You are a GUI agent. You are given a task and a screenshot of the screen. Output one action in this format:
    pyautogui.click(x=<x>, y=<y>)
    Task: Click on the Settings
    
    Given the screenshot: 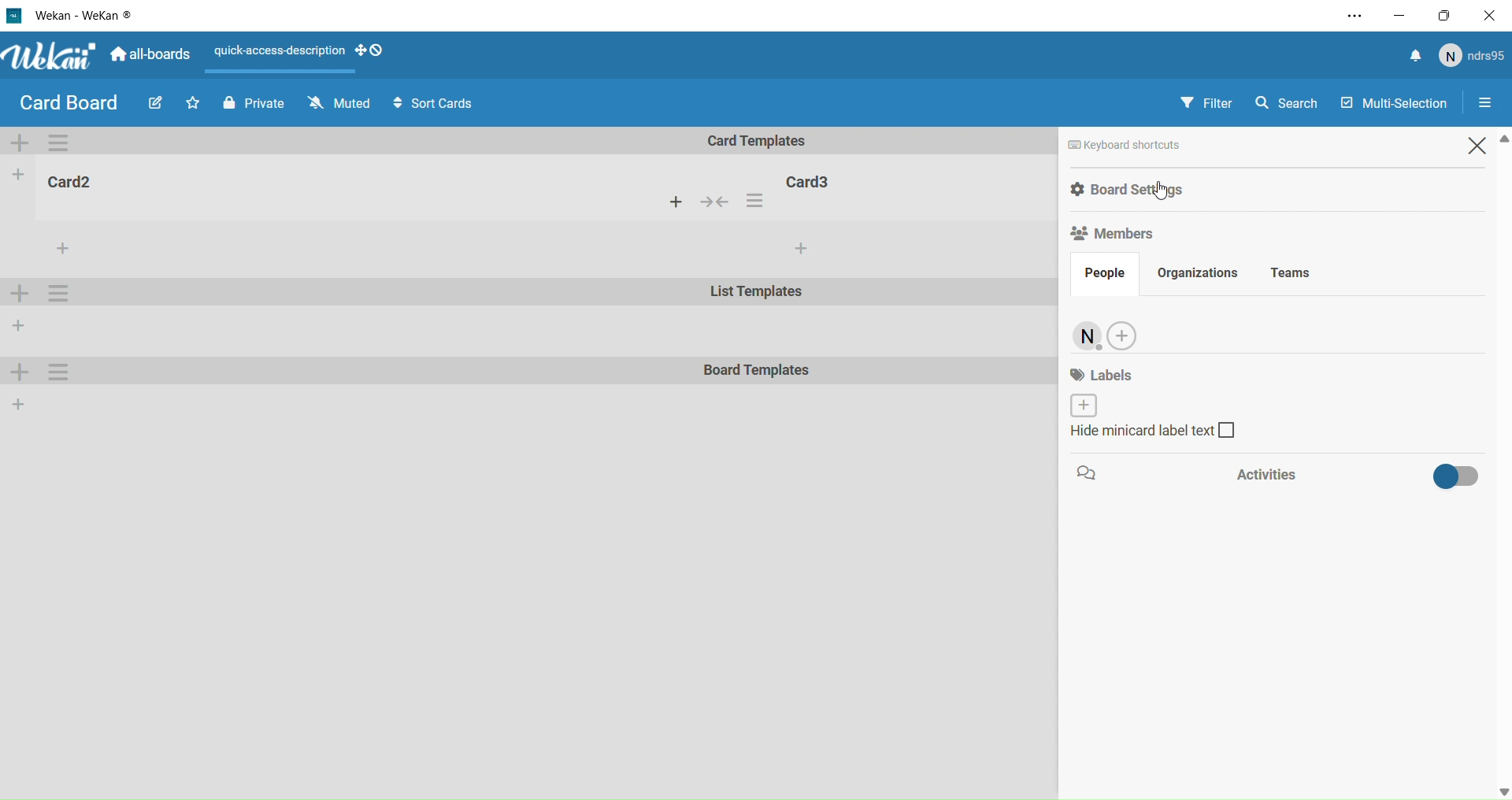 What is the action you would take?
    pyautogui.click(x=61, y=372)
    